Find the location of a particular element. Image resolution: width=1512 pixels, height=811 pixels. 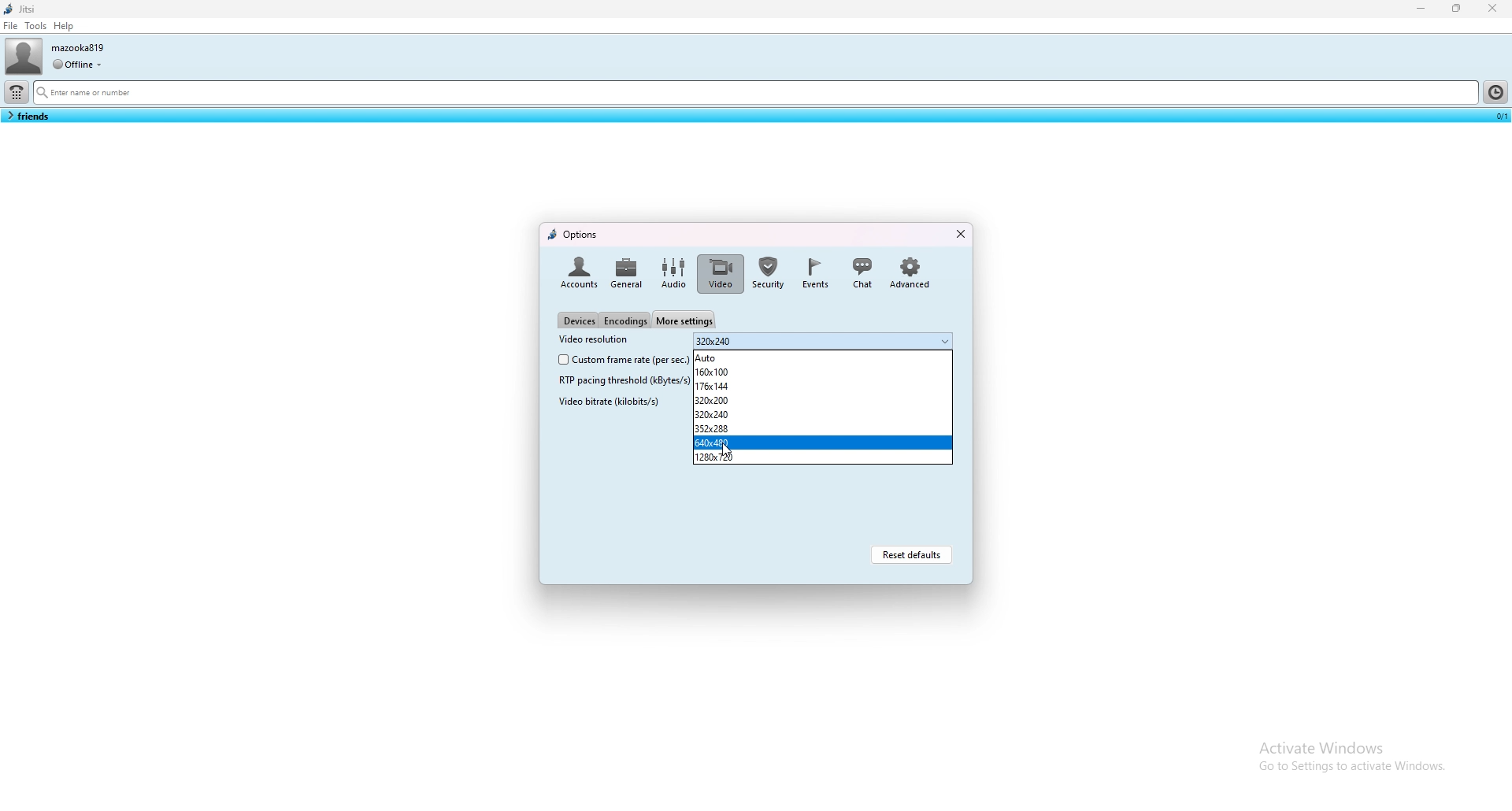

Video resolution is located at coordinates (593, 339).